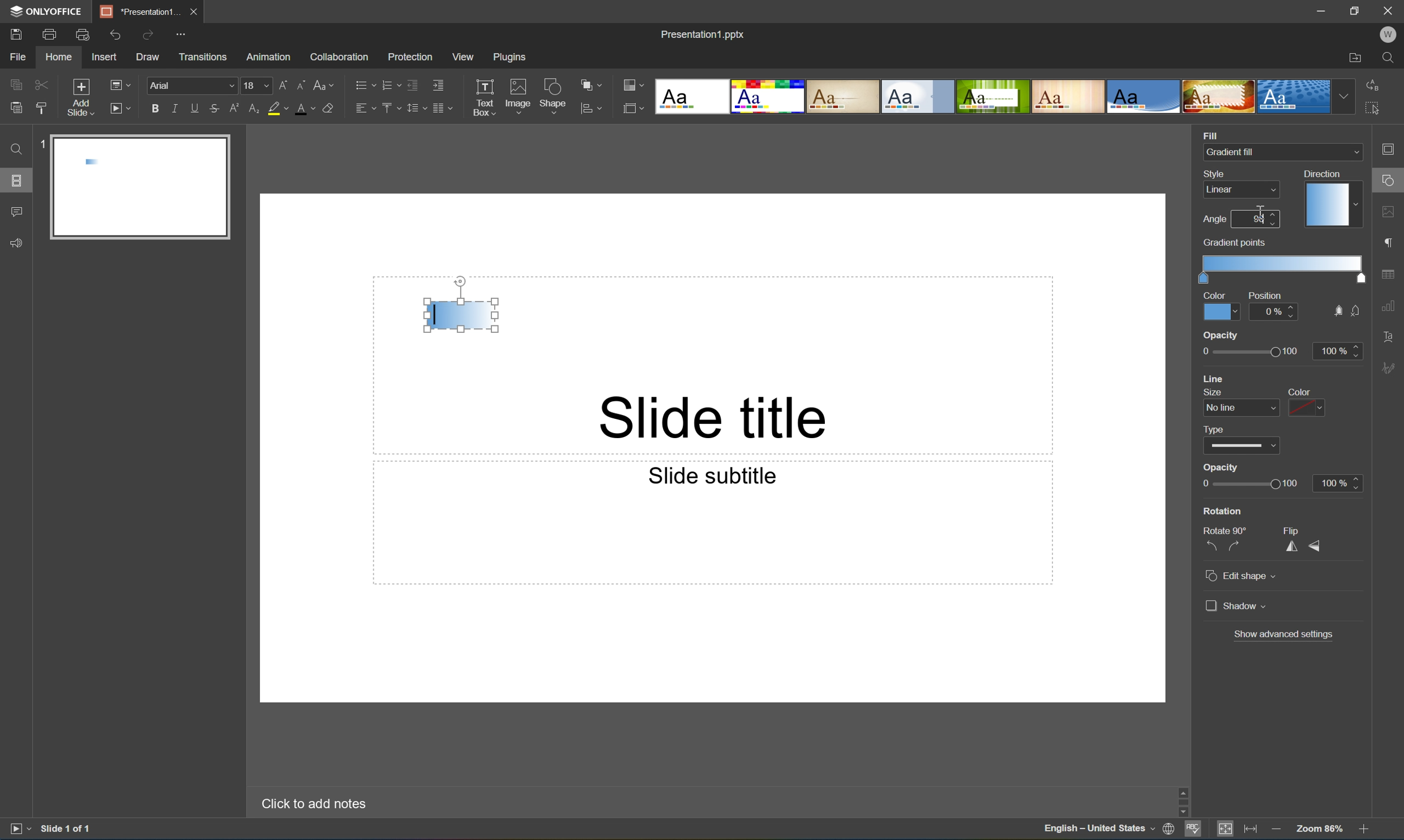 The height and width of the screenshot is (840, 1404). Describe the element at coordinates (1233, 152) in the screenshot. I see `Gradient fill` at that location.